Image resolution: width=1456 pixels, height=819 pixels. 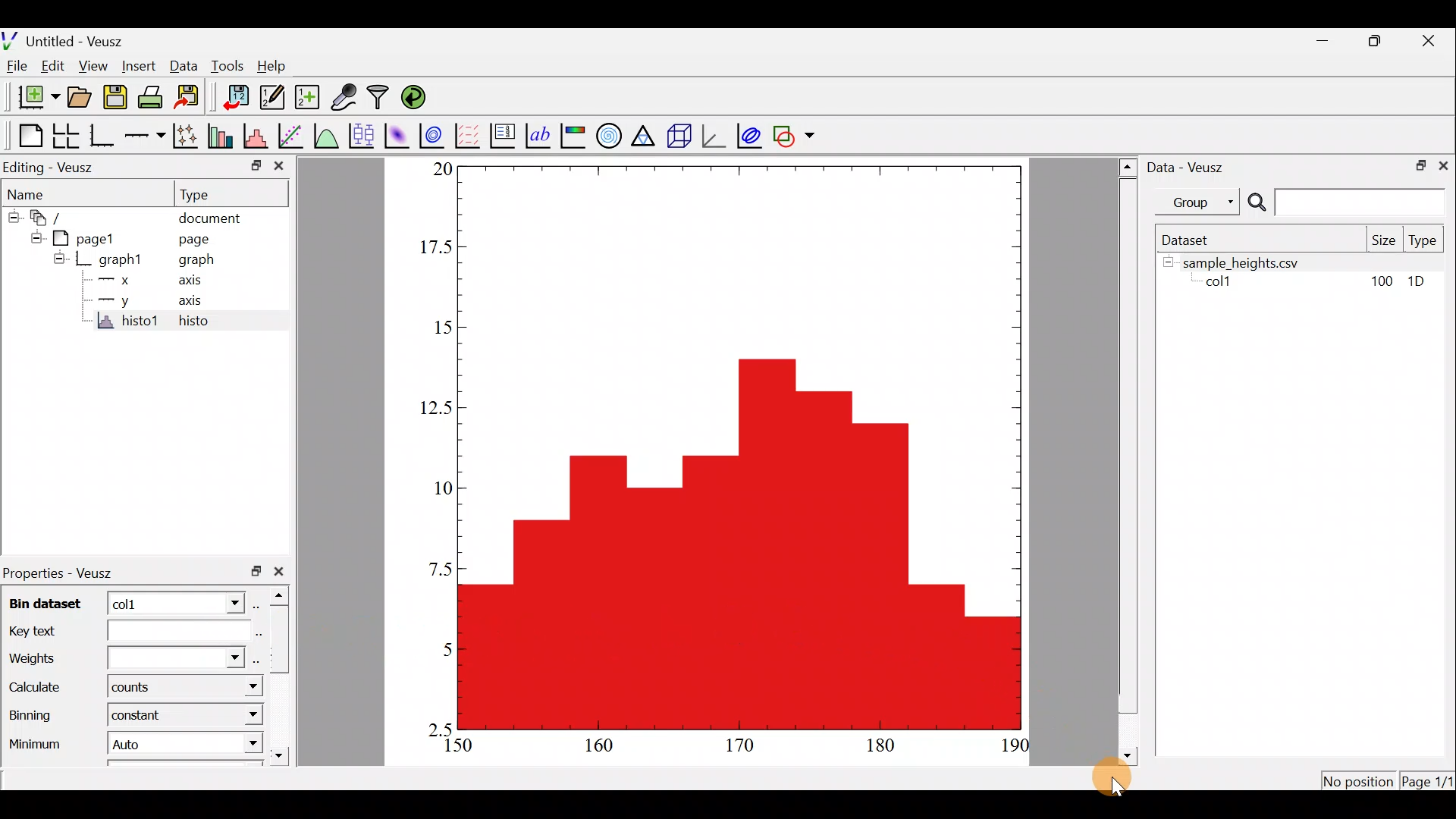 I want to click on [No position, so click(x=1360, y=780).